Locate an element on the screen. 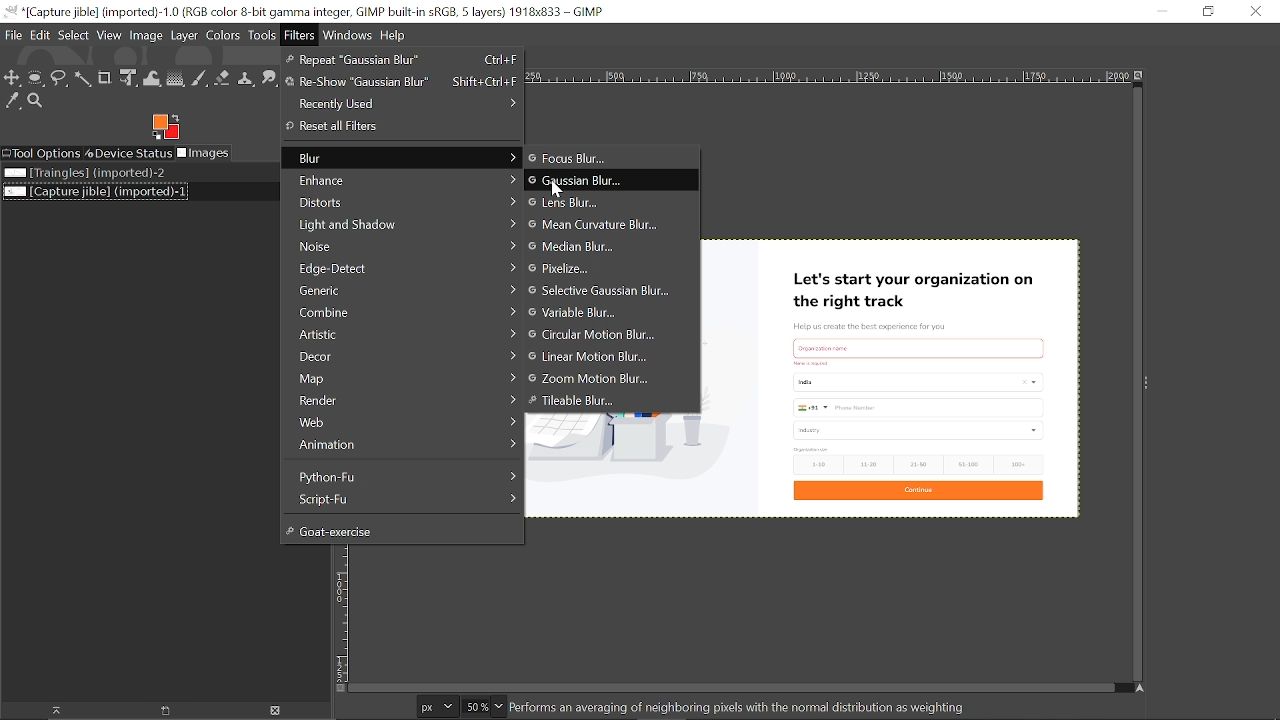 The width and height of the screenshot is (1280, 720). Free select tool is located at coordinates (60, 79).